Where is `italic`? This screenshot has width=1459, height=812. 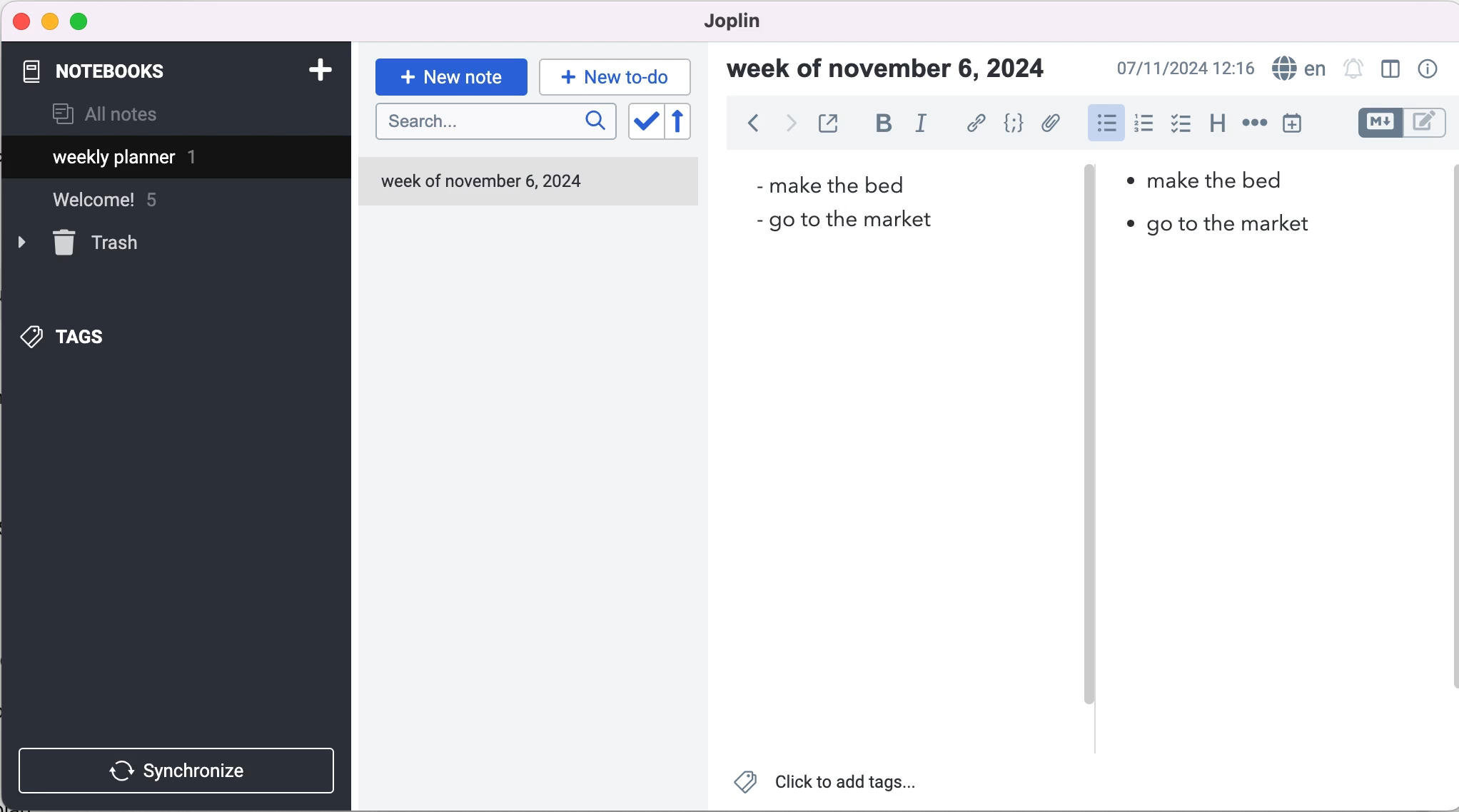
italic is located at coordinates (927, 123).